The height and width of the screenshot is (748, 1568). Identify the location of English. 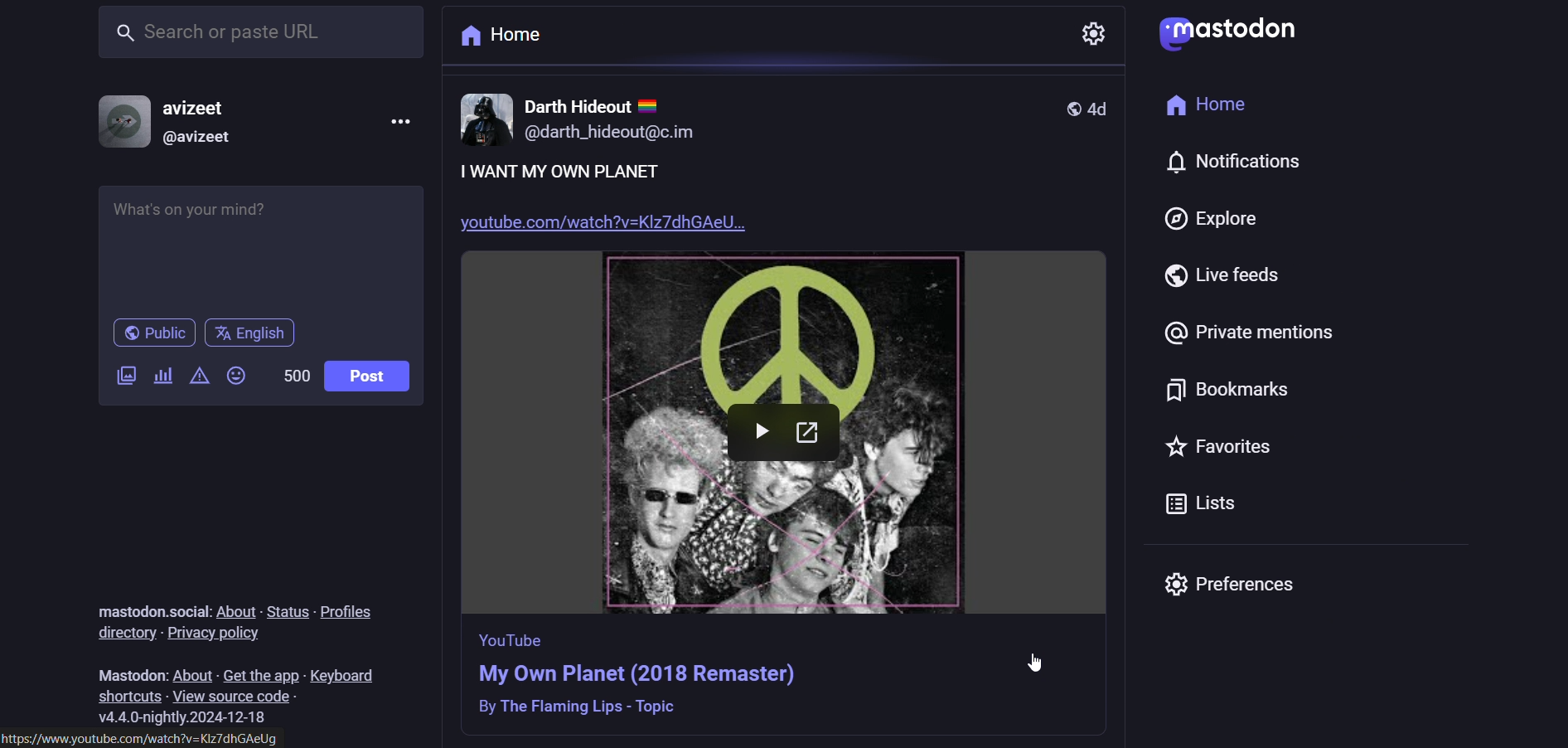
(259, 334).